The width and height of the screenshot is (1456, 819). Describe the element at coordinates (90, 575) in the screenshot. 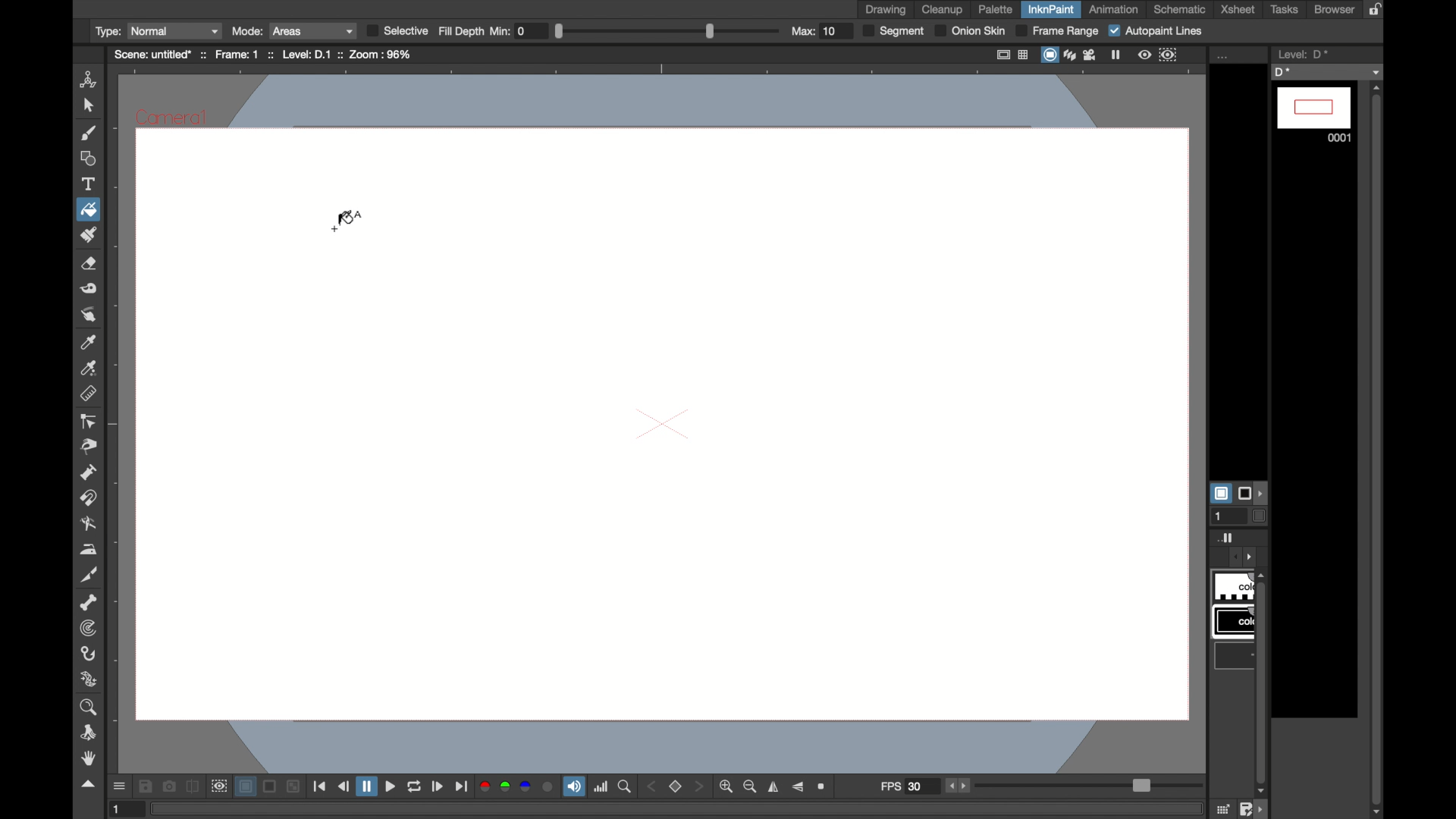

I see `cuttertool` at that location.